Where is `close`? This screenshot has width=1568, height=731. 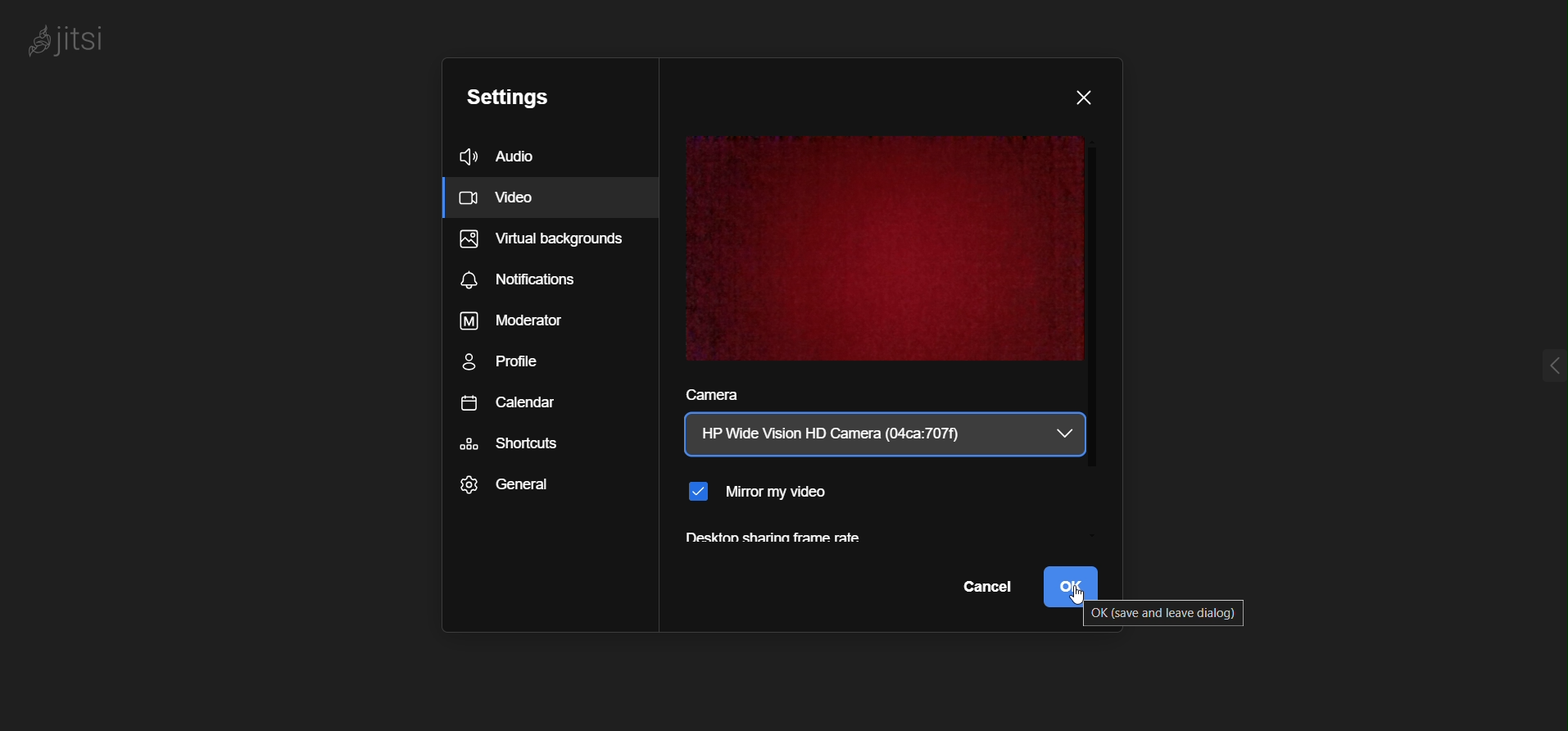
close is located at coordinates (1082, 95).